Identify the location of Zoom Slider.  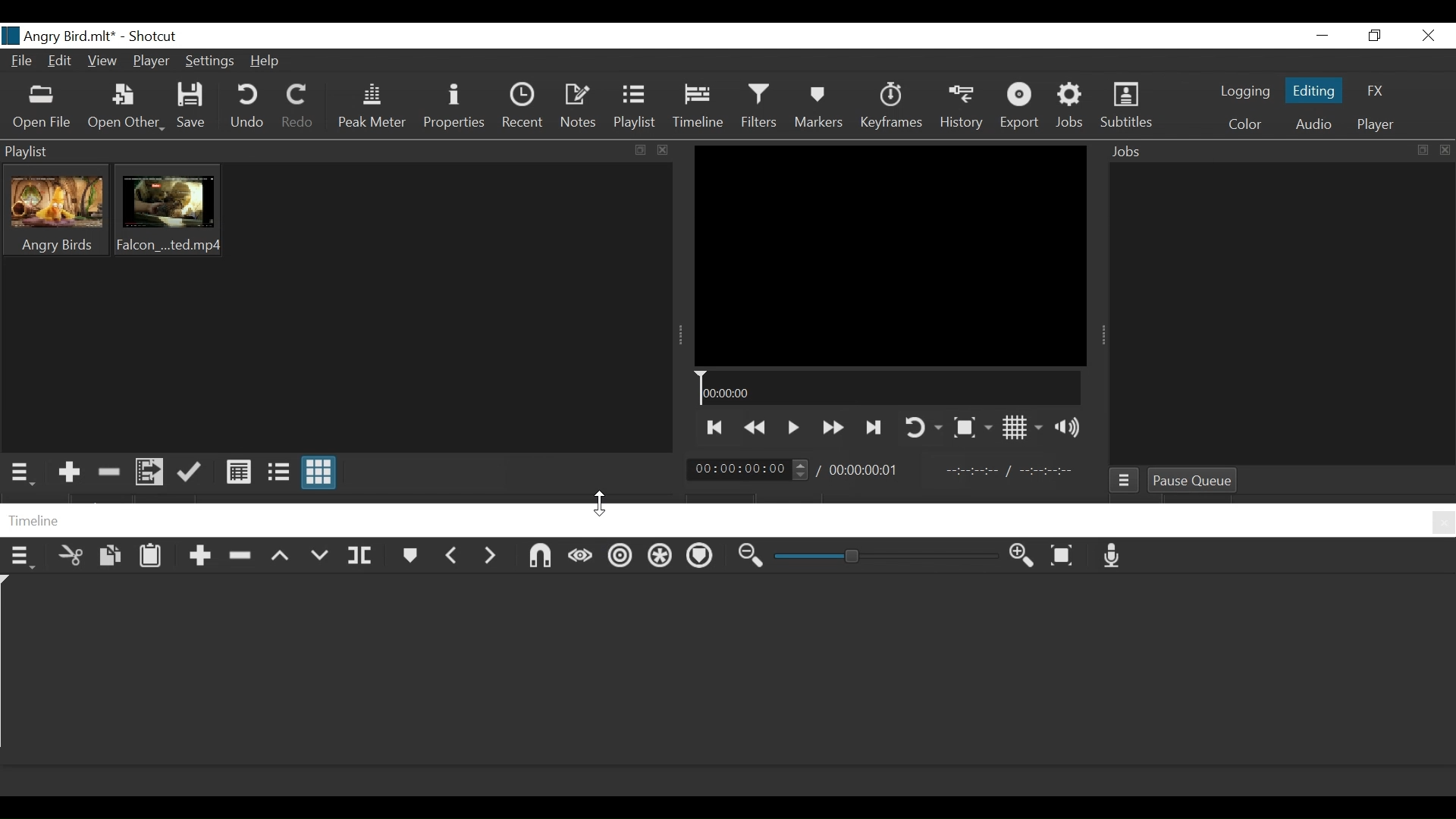
(882, 557).